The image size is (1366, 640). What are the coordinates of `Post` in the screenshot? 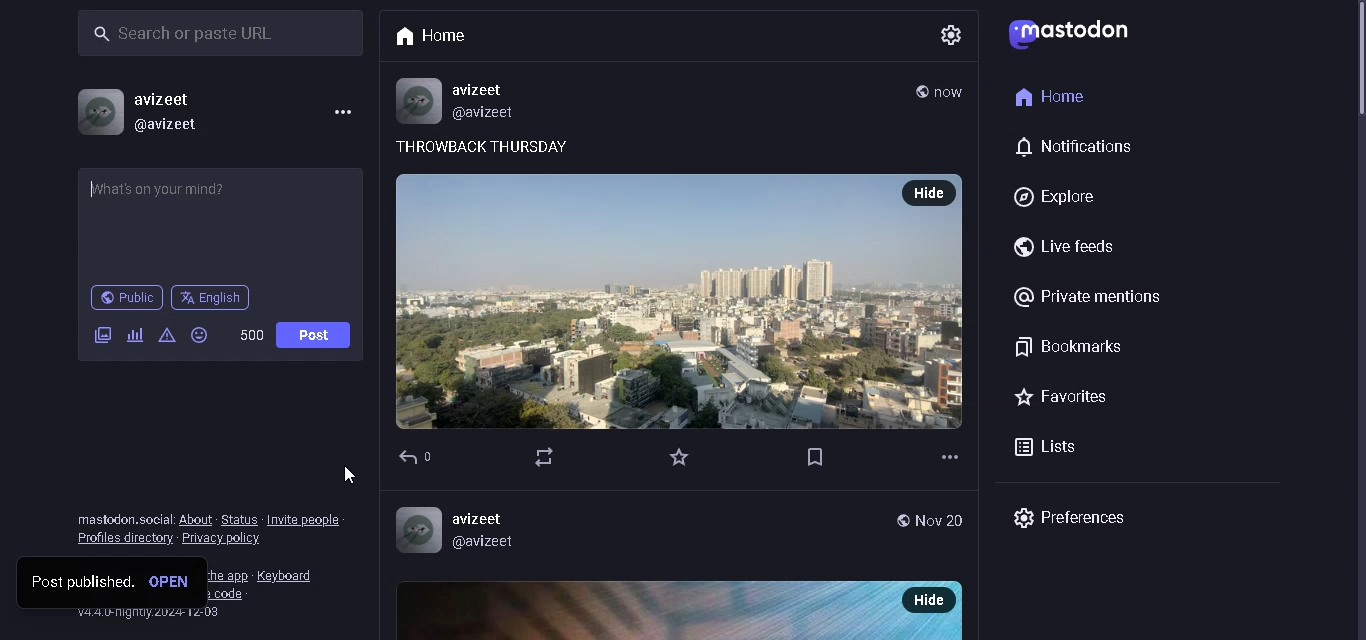 It's located at (314, 337).